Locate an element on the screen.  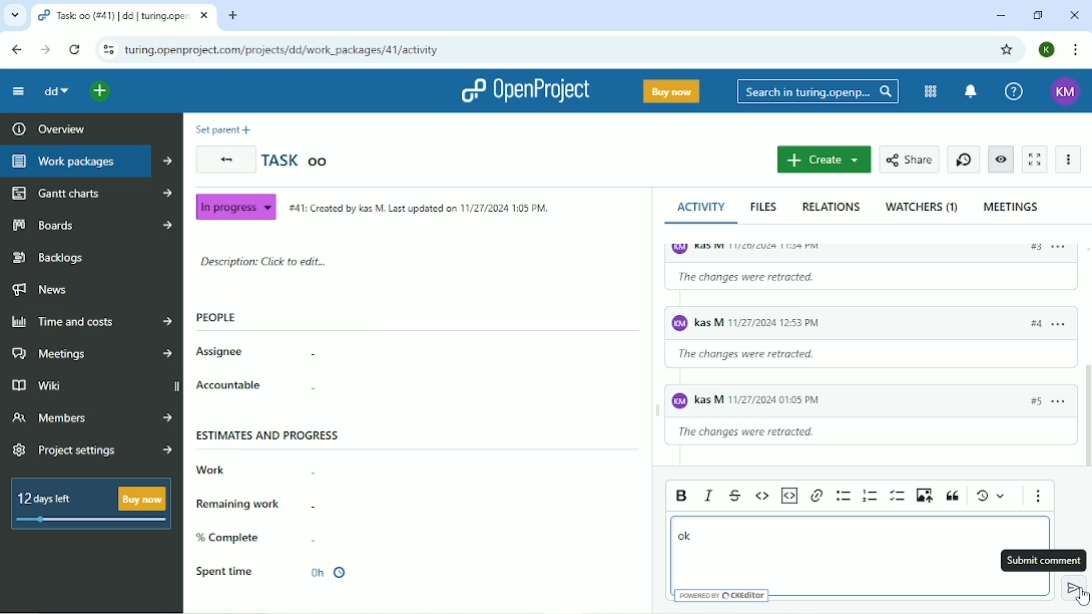
In progress is located at coordinates (235, 206).